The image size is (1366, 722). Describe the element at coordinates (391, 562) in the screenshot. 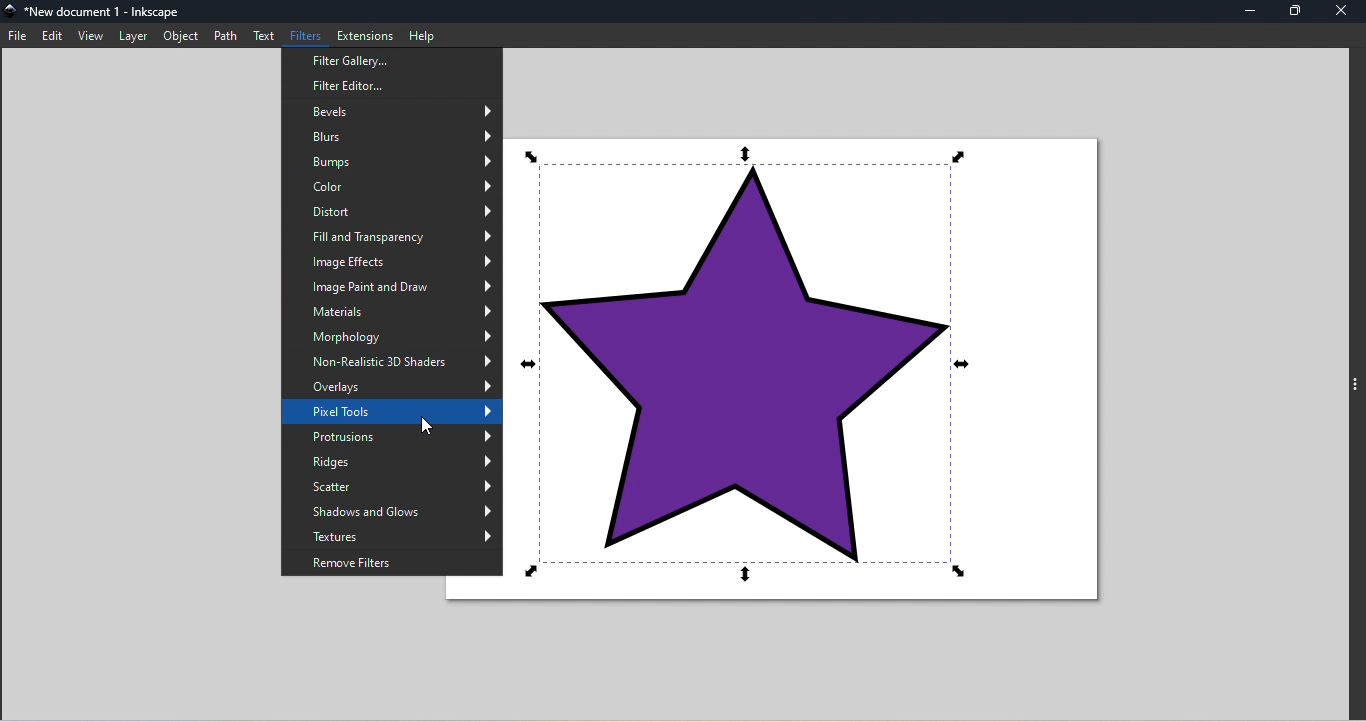

I see `Remove filters` at that location.